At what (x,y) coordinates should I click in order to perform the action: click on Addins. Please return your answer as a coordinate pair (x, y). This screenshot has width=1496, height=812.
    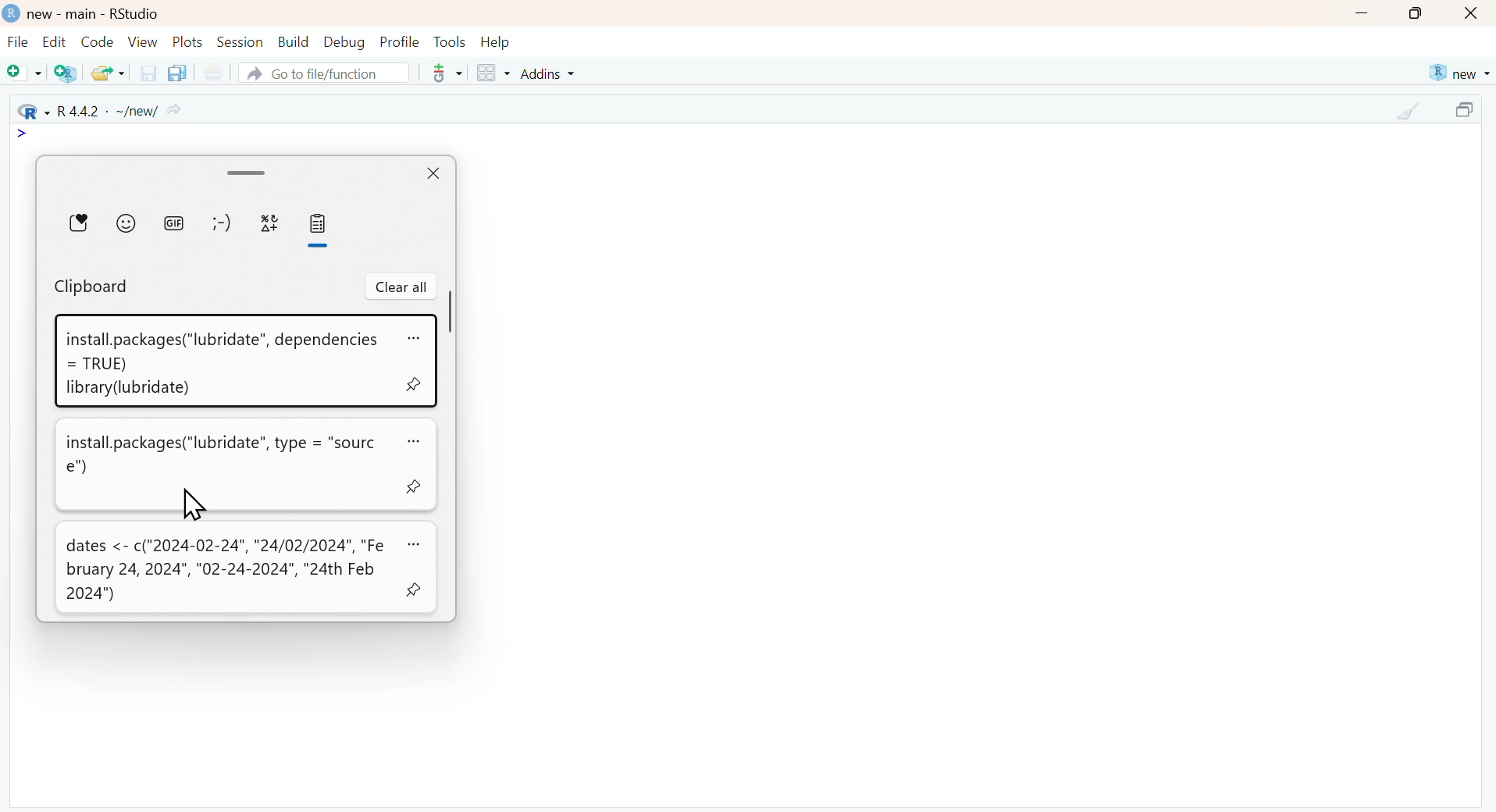
    Looking at the image, I should click on (550, 73).